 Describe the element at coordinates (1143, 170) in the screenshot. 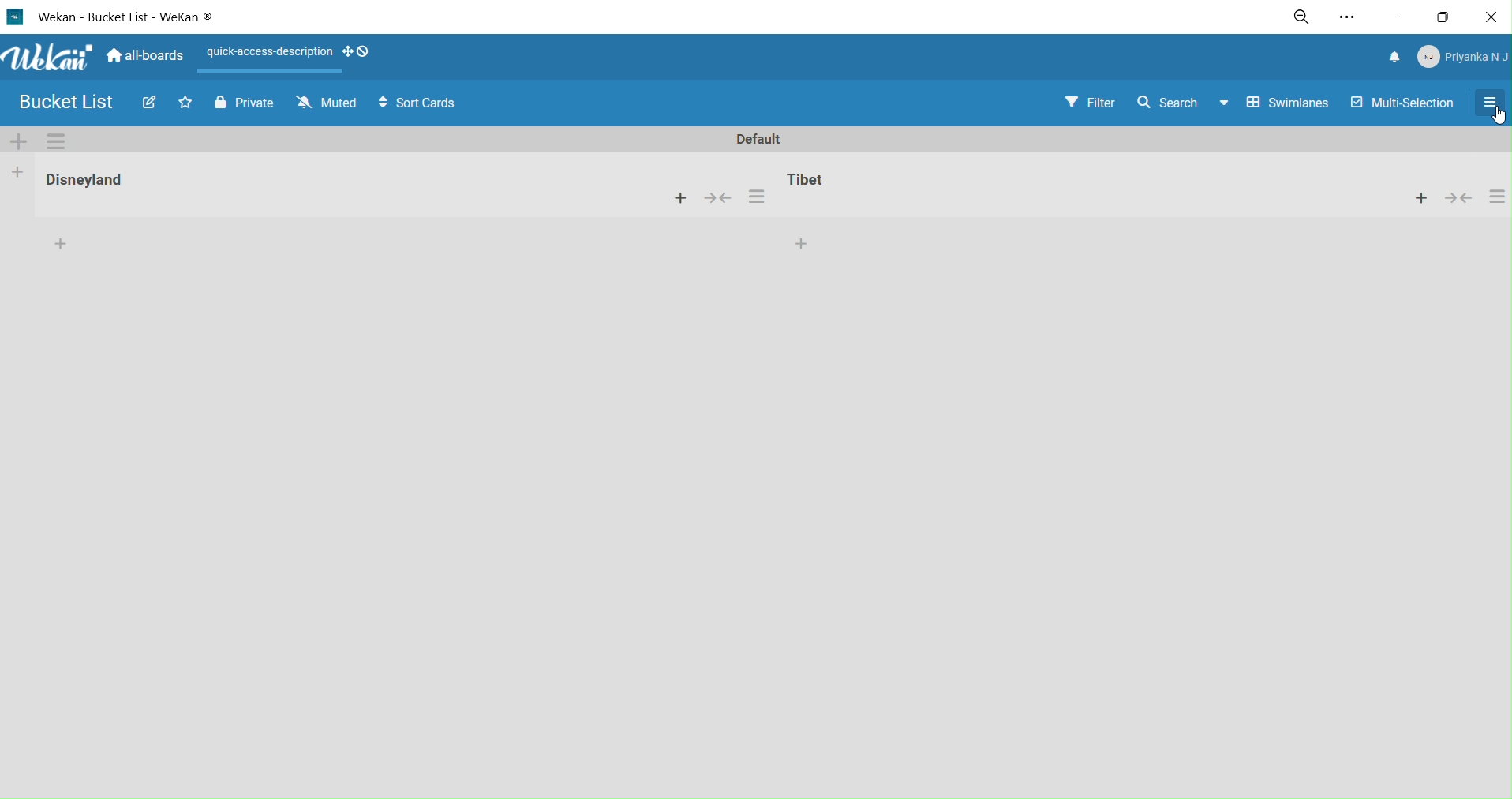

I see `tibet` at that location.